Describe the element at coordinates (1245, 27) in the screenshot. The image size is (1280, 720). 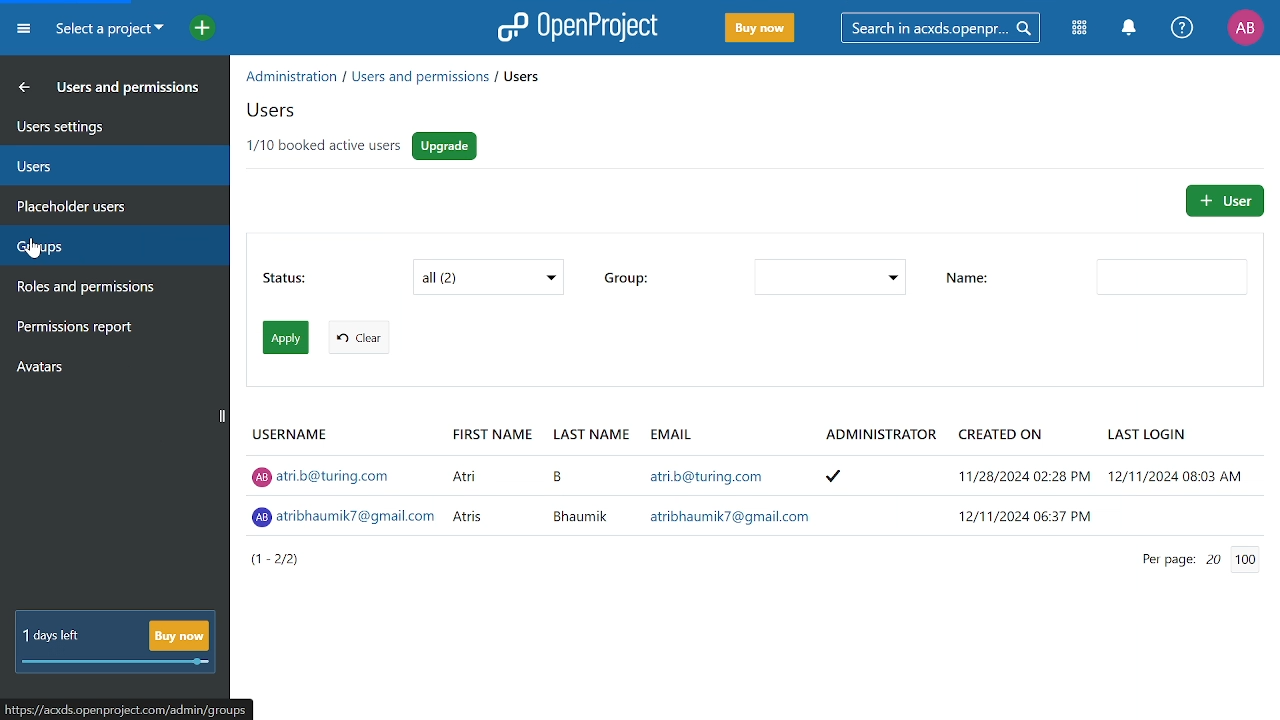
I see `Profile` at that location.